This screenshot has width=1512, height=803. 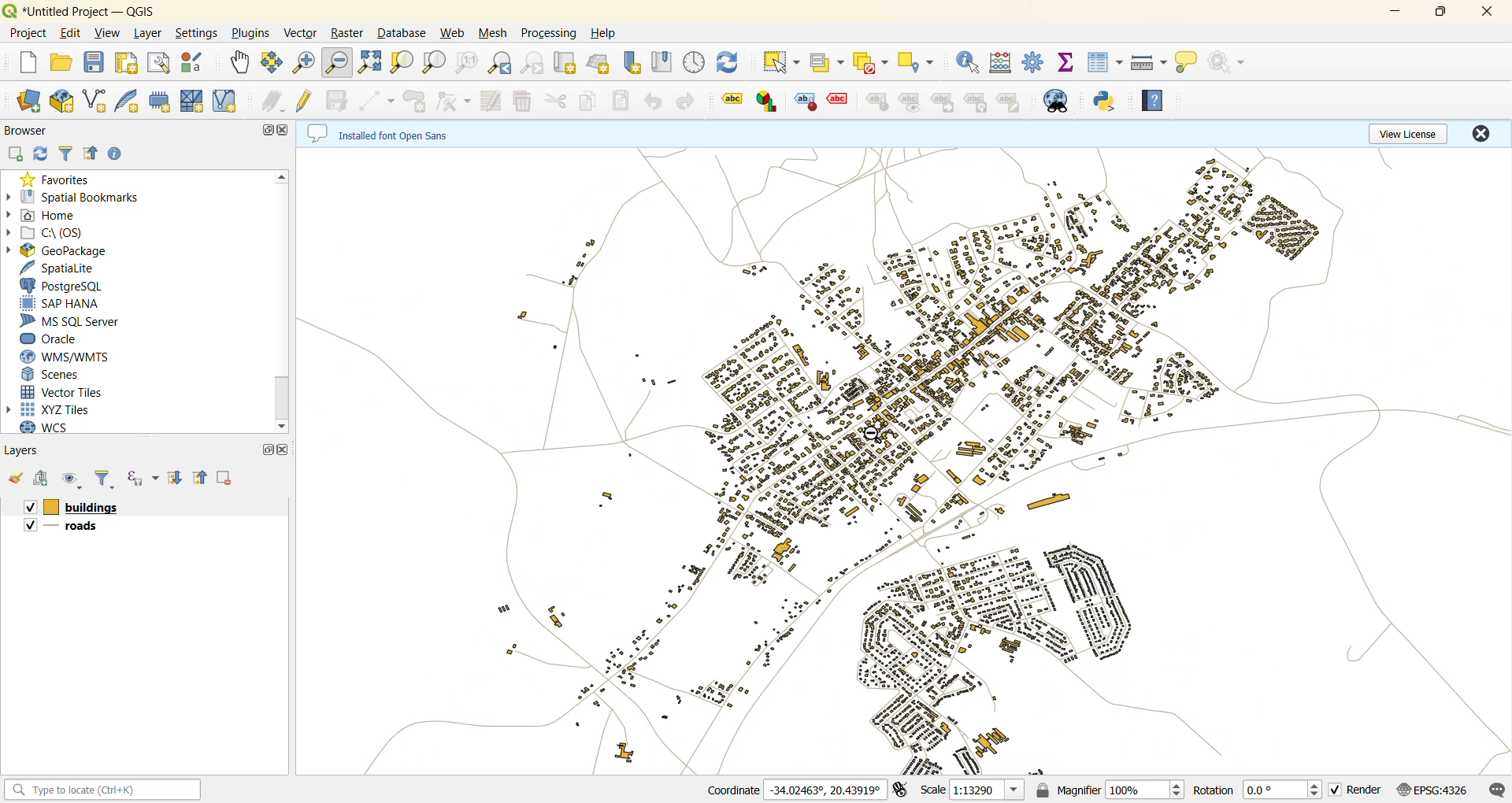 What do you see at coordinates (1446, 13) in the screenshot?
I see `maximize` at bounding box center [1446, 13].